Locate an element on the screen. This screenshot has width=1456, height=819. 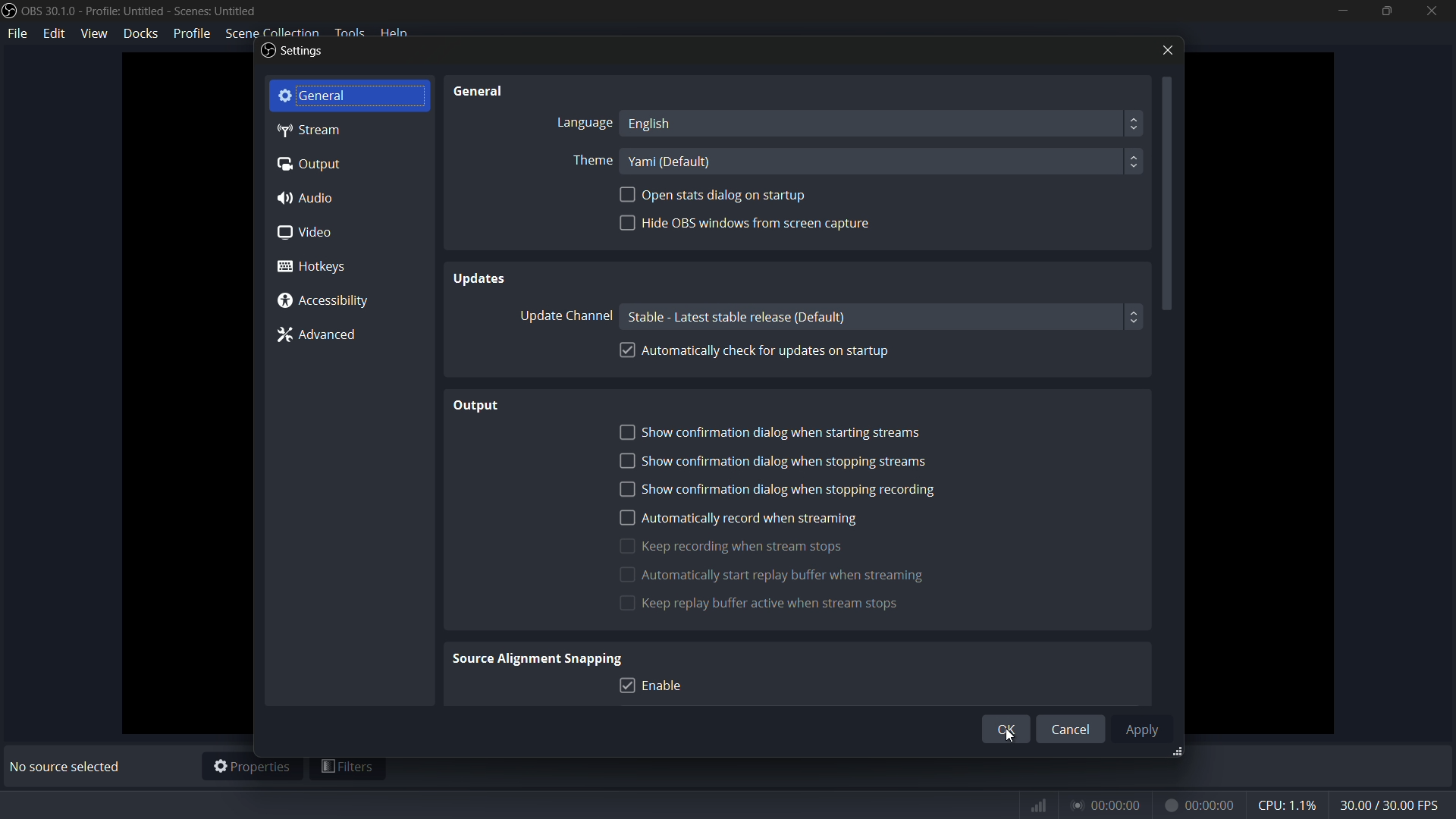
Updates is located at coordinates (505, 280).